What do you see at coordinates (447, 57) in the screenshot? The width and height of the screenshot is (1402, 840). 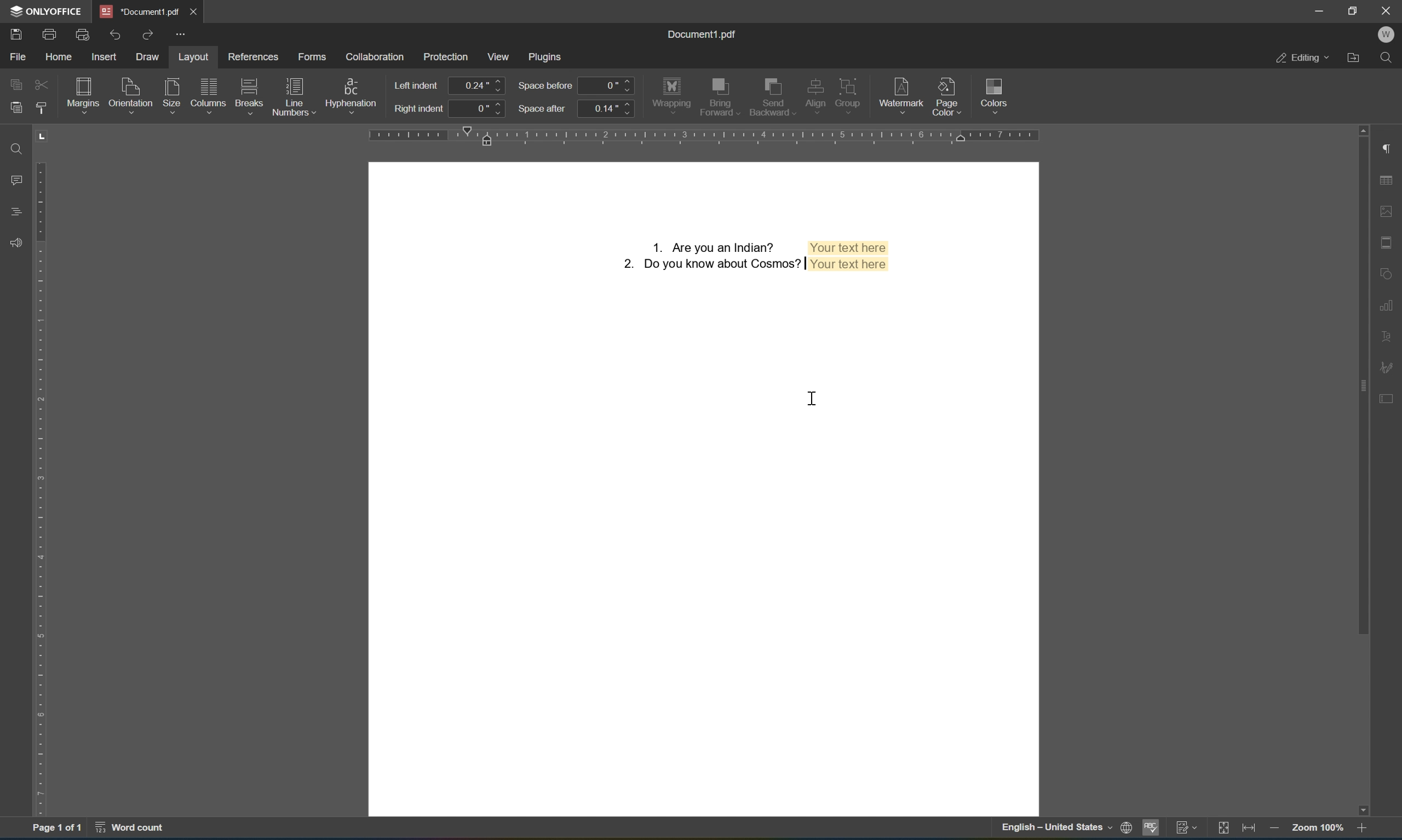 I see `protection` at bounding box center [447, 57].